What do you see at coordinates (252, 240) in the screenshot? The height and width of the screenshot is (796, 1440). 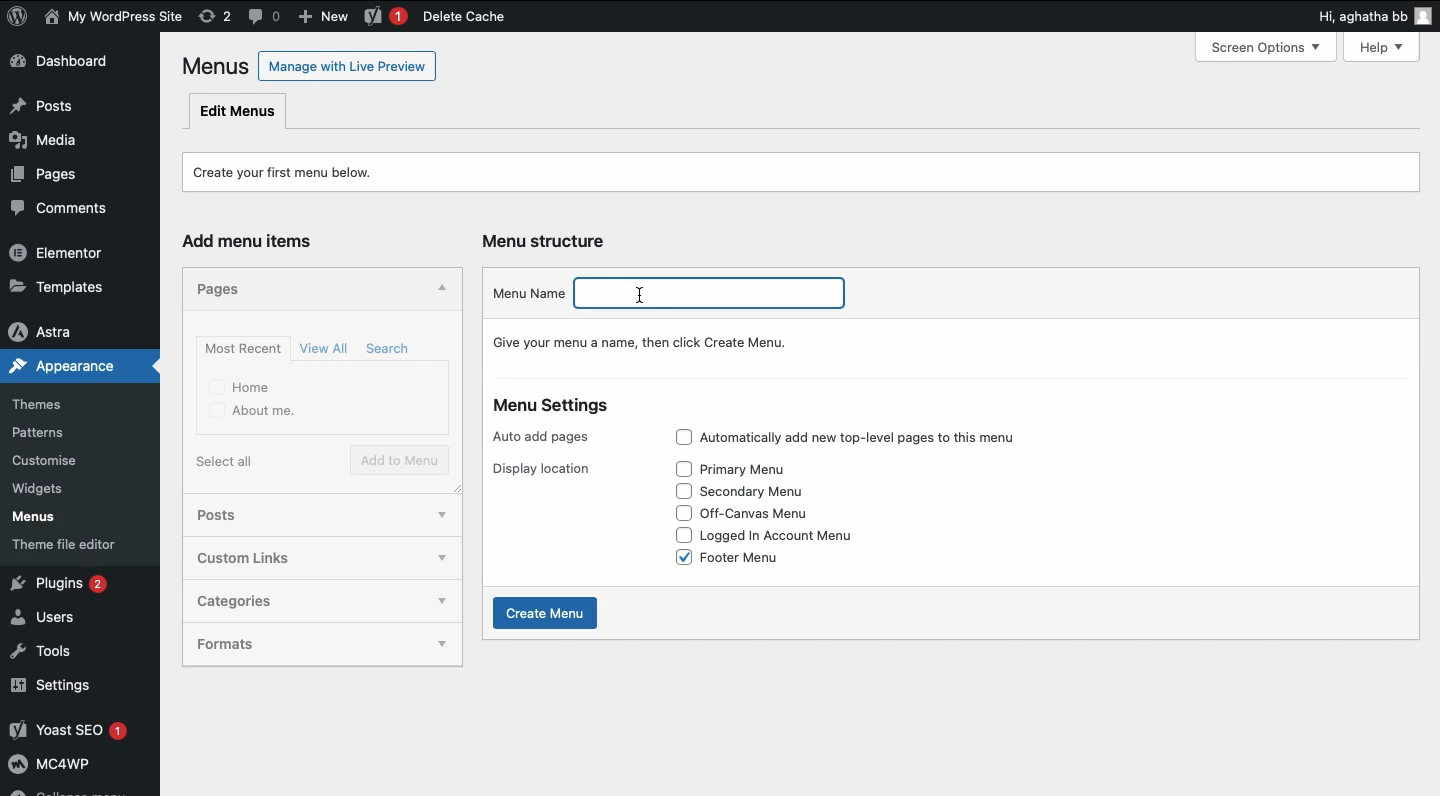 I see `Add menu items` at bounding box center [252, 240].